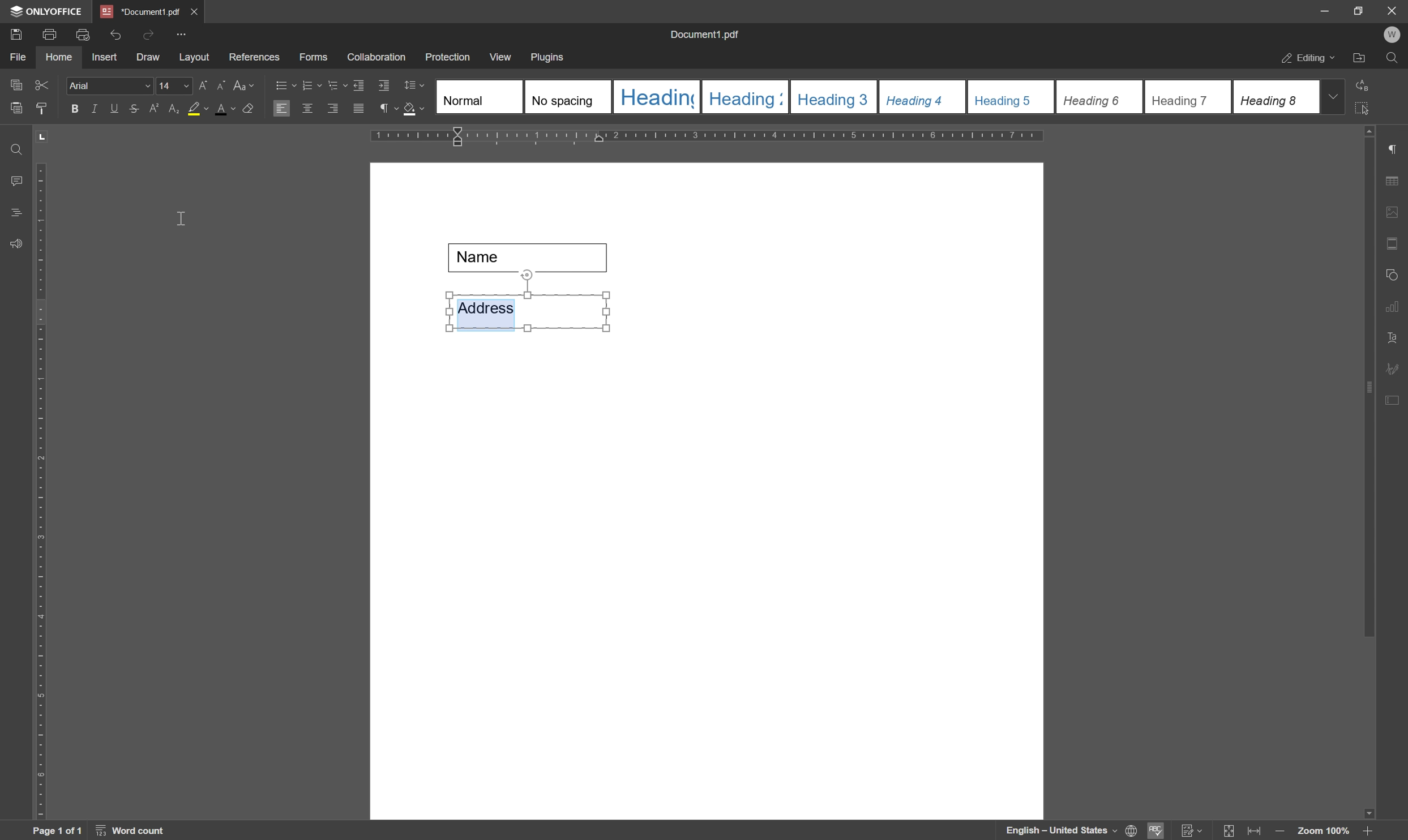 This screenshot has width=1408, height=840. What do you see at coordinates (80, 33) in the screenshot?
I see `quick print` at bounding box center [80, 33].